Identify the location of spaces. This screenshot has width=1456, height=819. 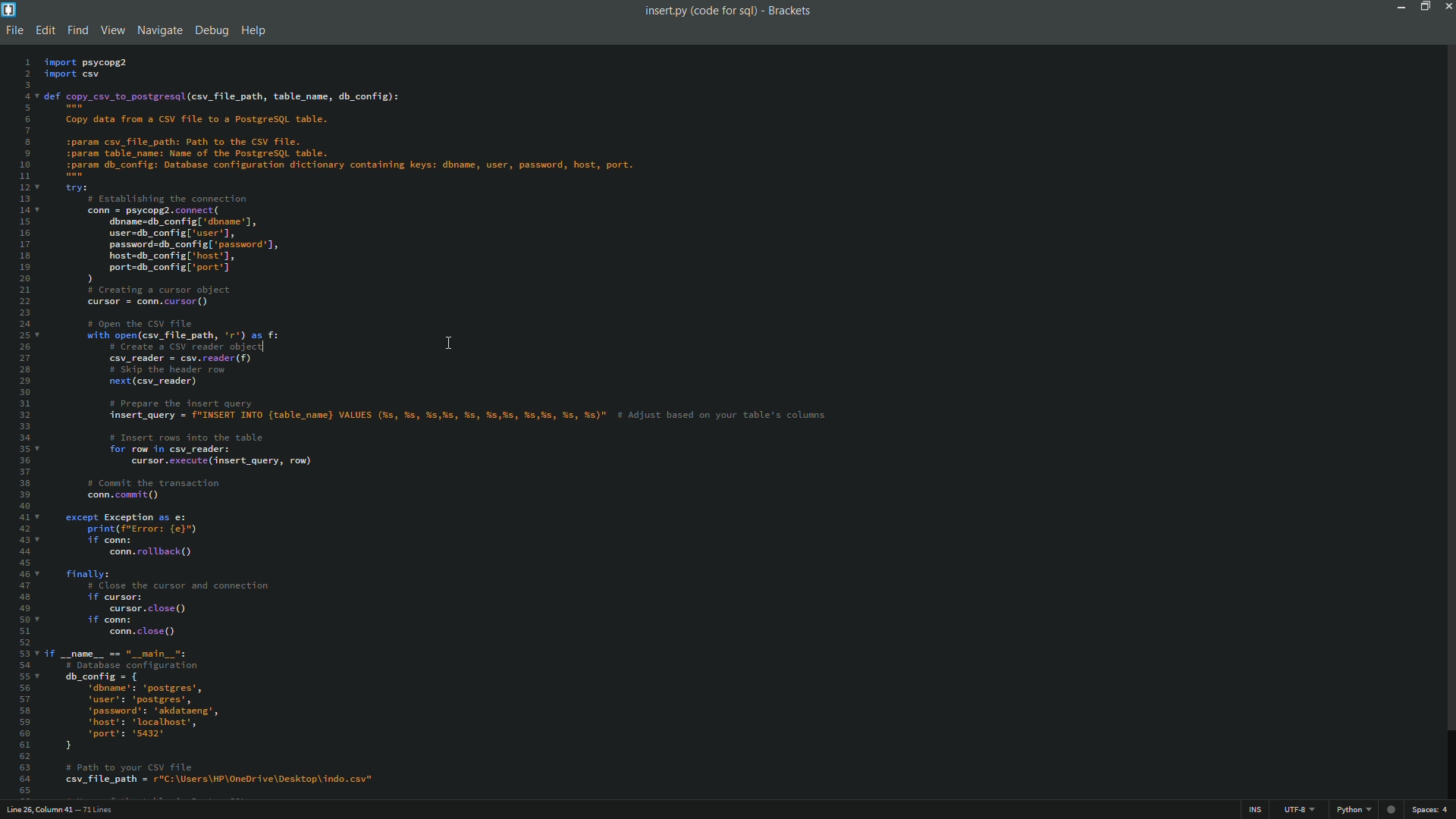
(1432, 812).